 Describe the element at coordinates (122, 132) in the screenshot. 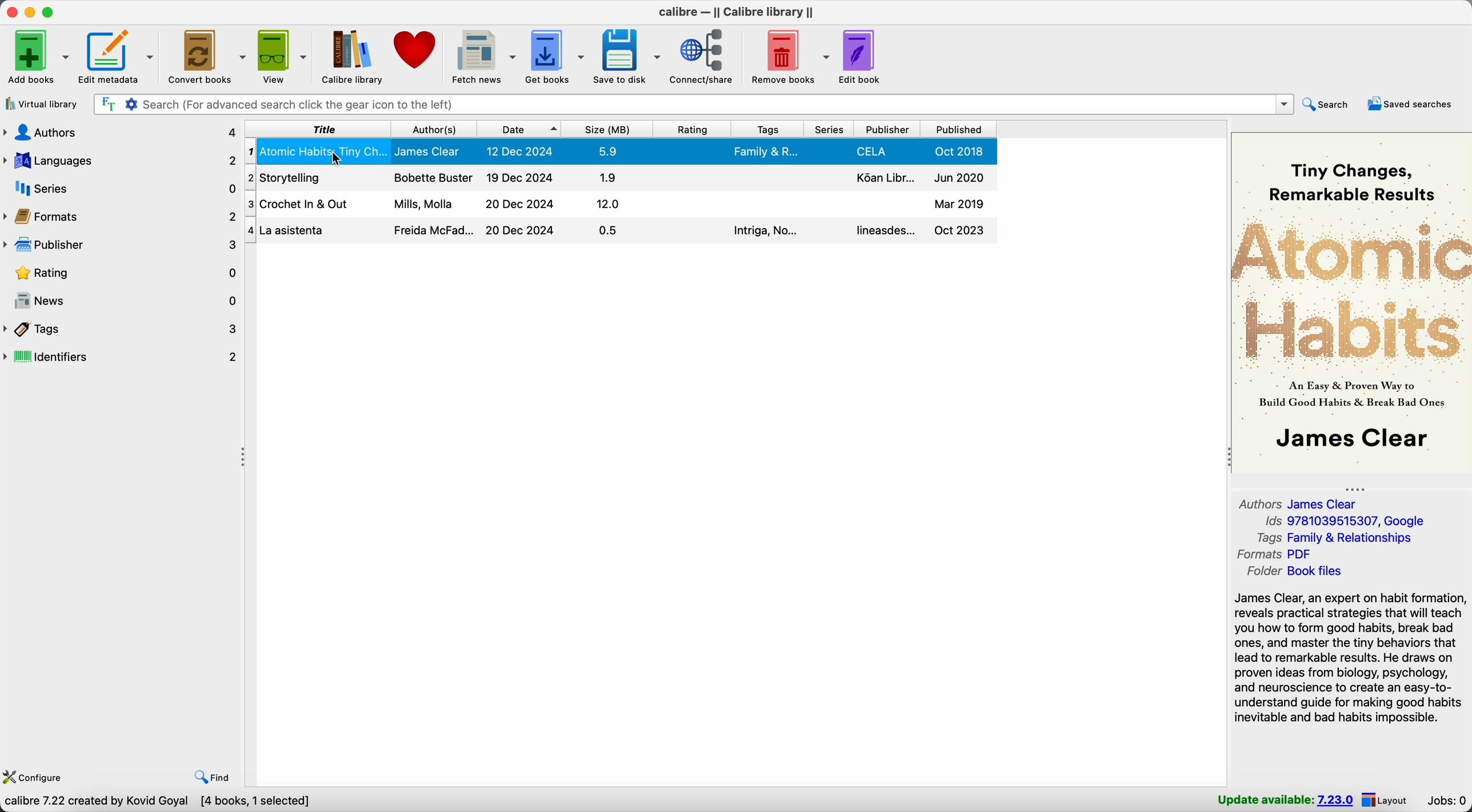

I see `authors` at that location.